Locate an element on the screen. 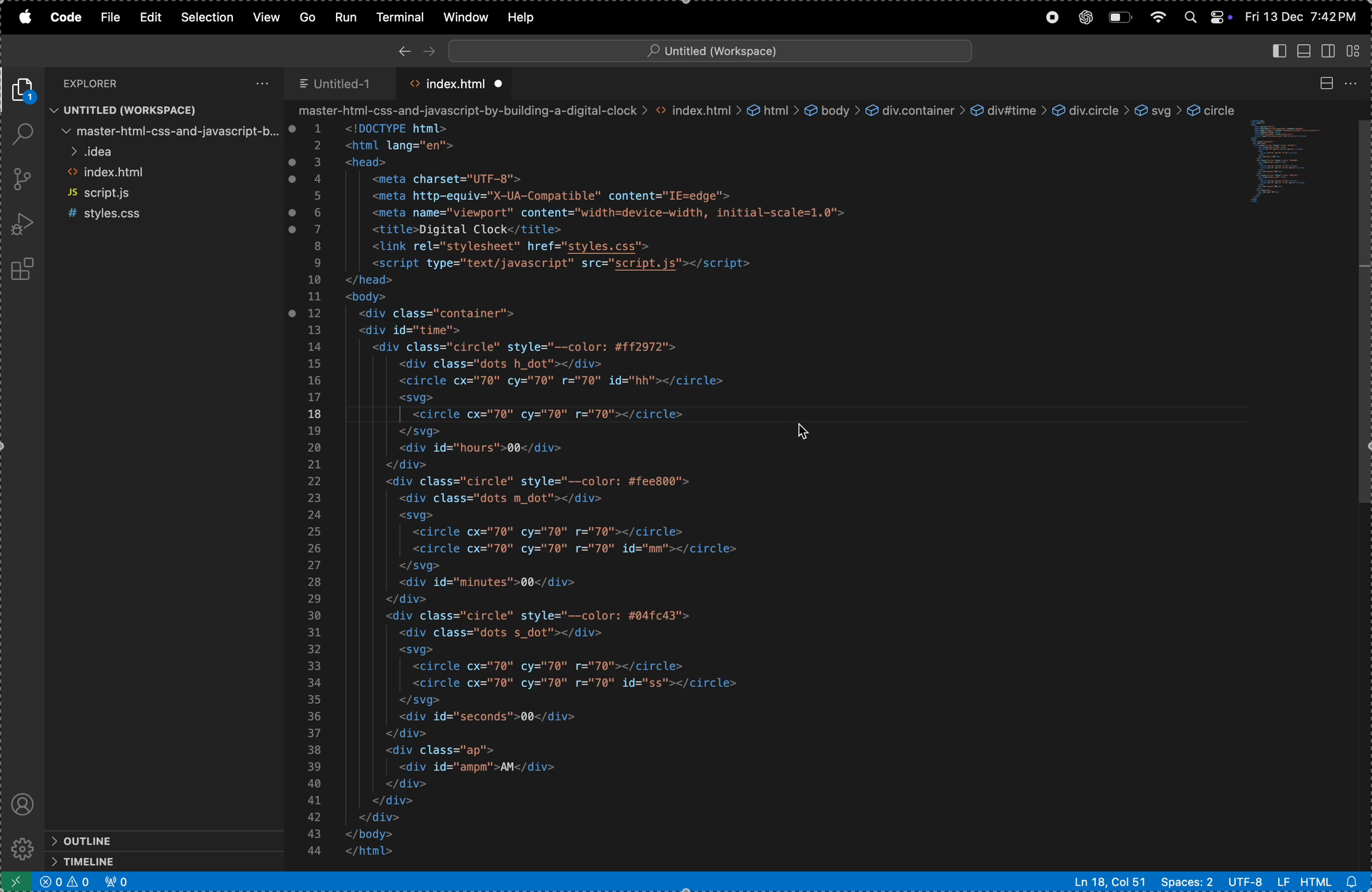 The width and height of the screenshot is (1372, 892). index.html is located at coordinates (455, 83).